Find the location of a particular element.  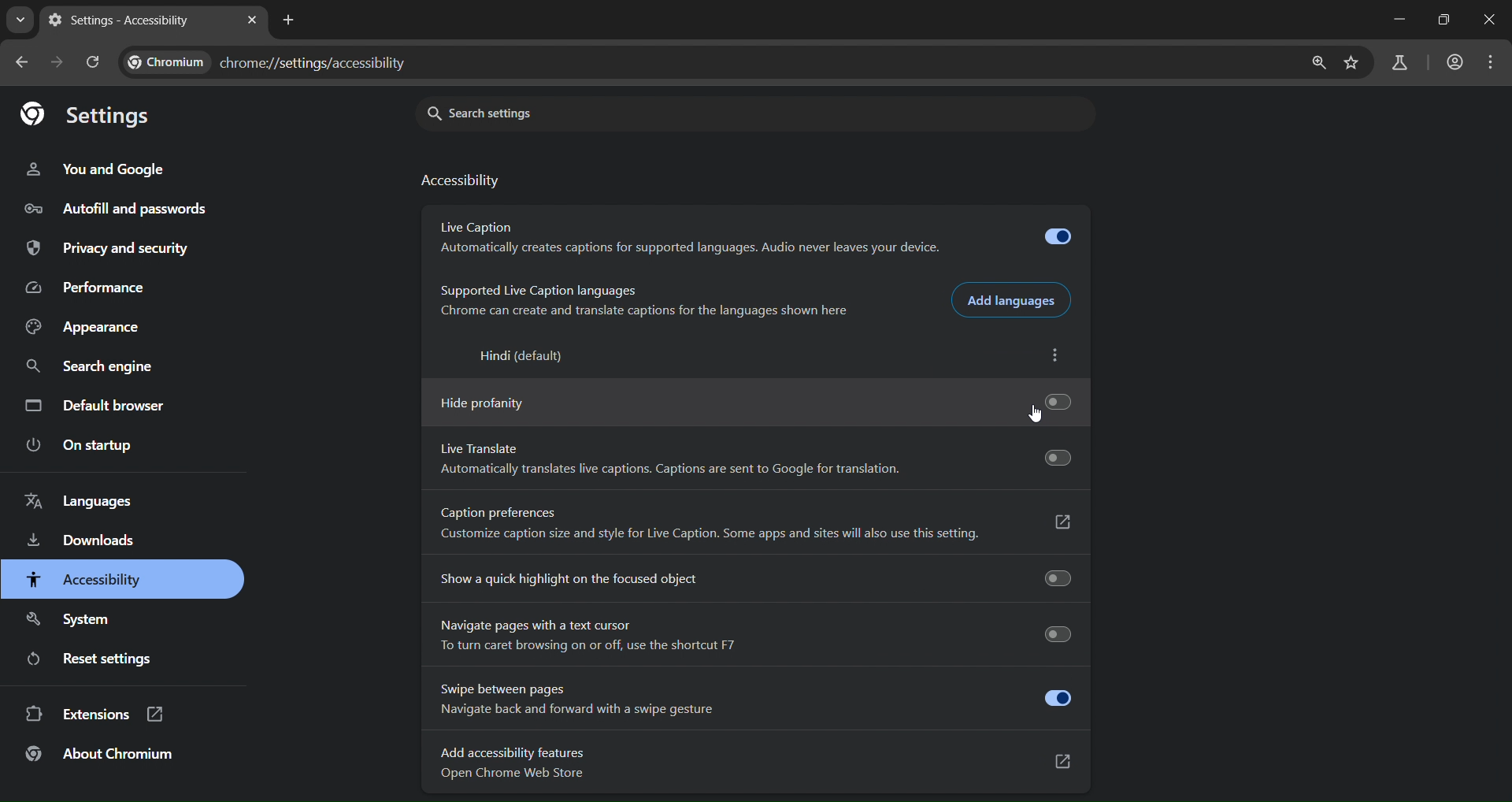

show a quick highlight on the focused object is located at coordinates (754, 577).